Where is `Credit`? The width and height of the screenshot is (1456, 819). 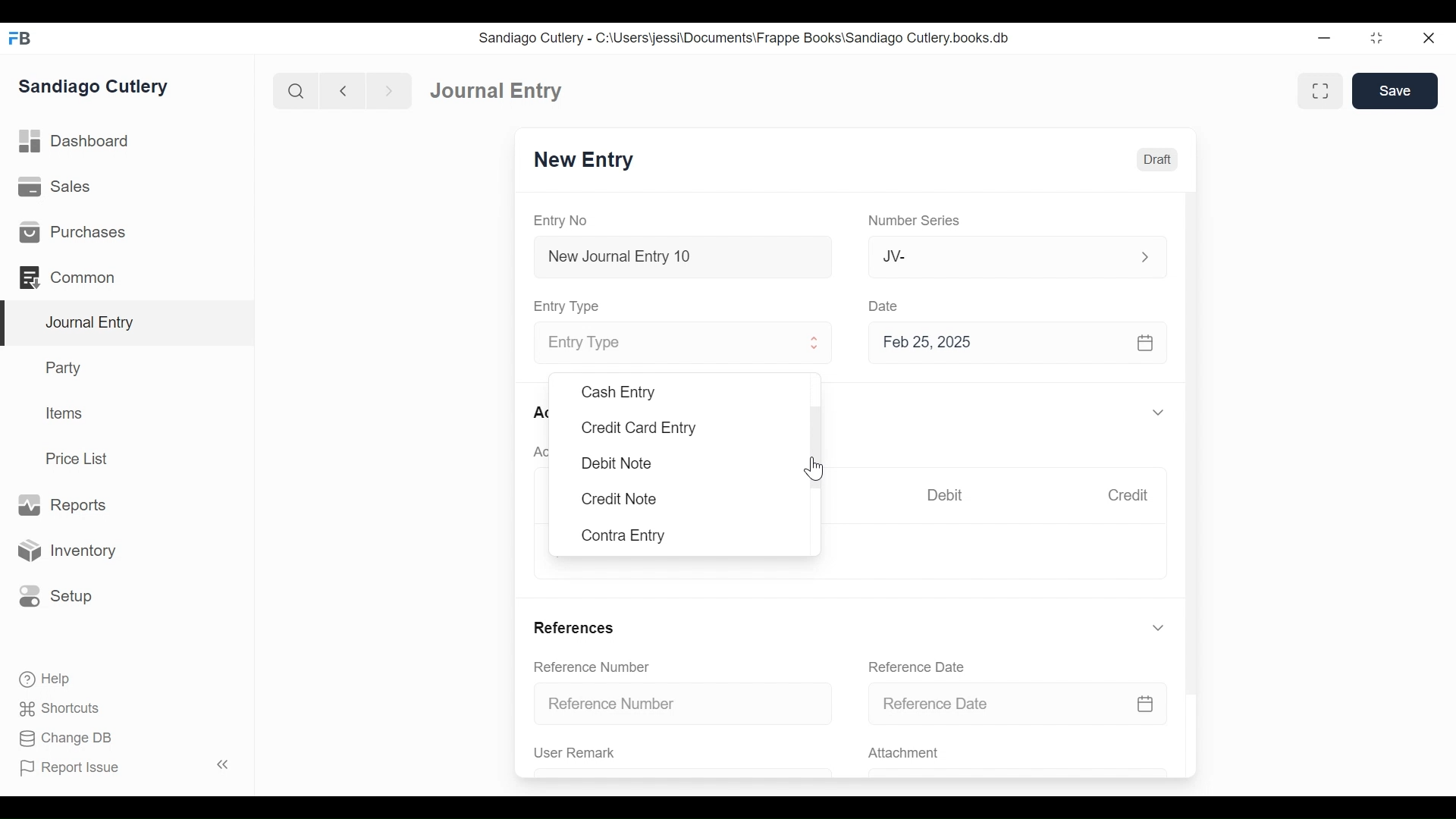
Credit is located at coordinates (1131, 497).